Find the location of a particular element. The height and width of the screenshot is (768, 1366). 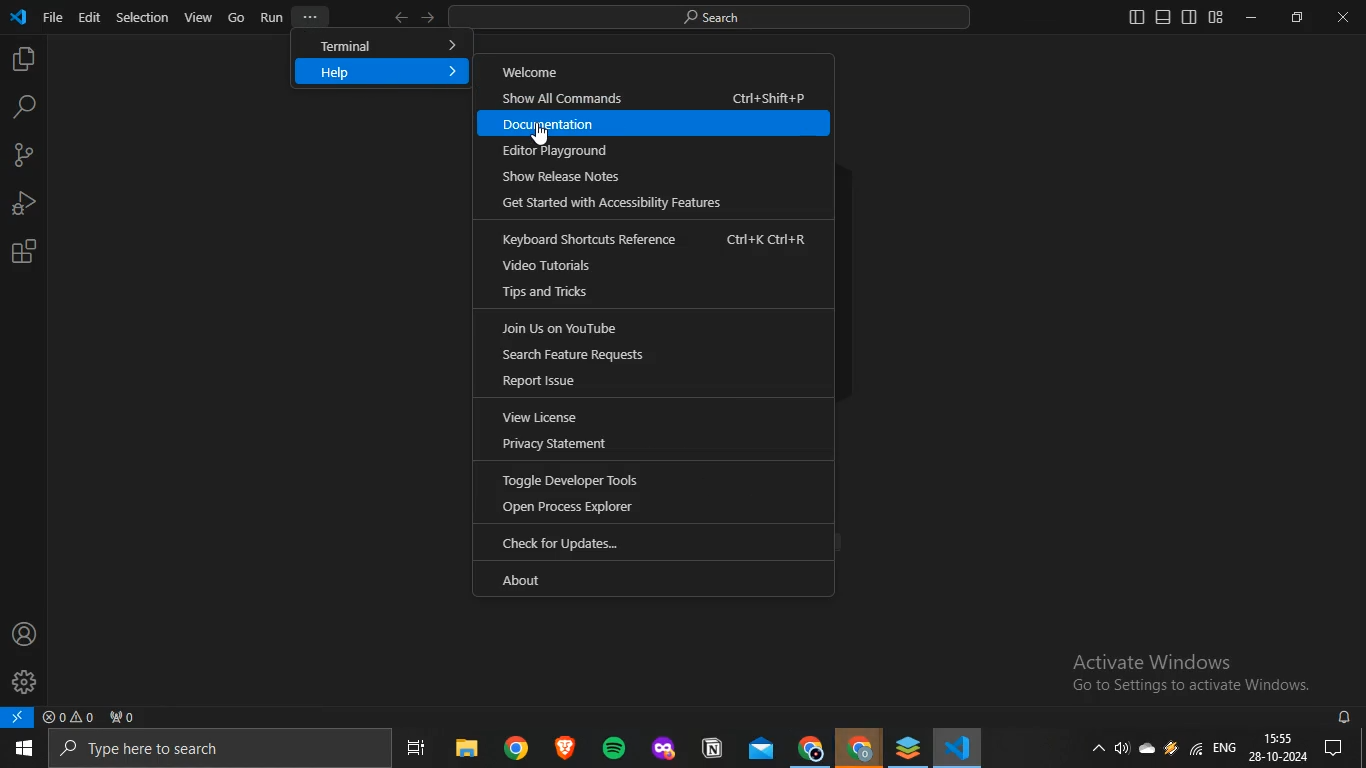

brave is located at coordinates (562, 748).